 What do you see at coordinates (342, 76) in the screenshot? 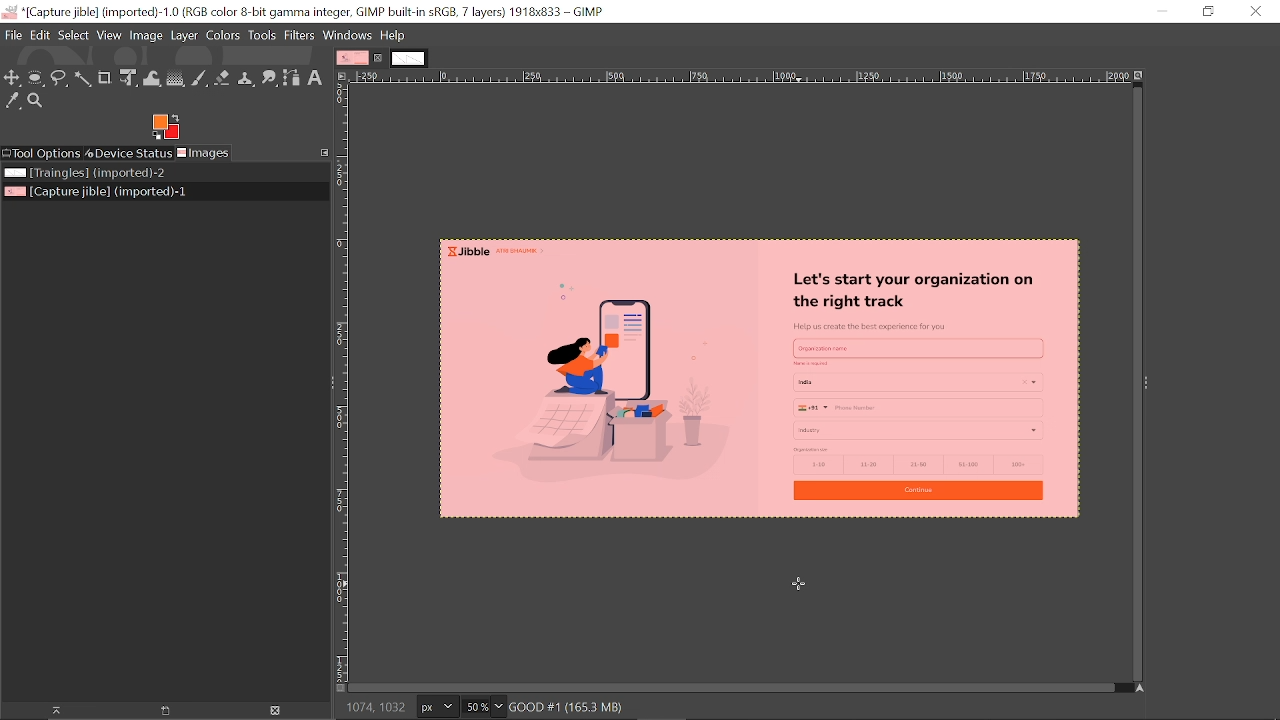
I see `Access this image menu` at bounding box center [342, 76].